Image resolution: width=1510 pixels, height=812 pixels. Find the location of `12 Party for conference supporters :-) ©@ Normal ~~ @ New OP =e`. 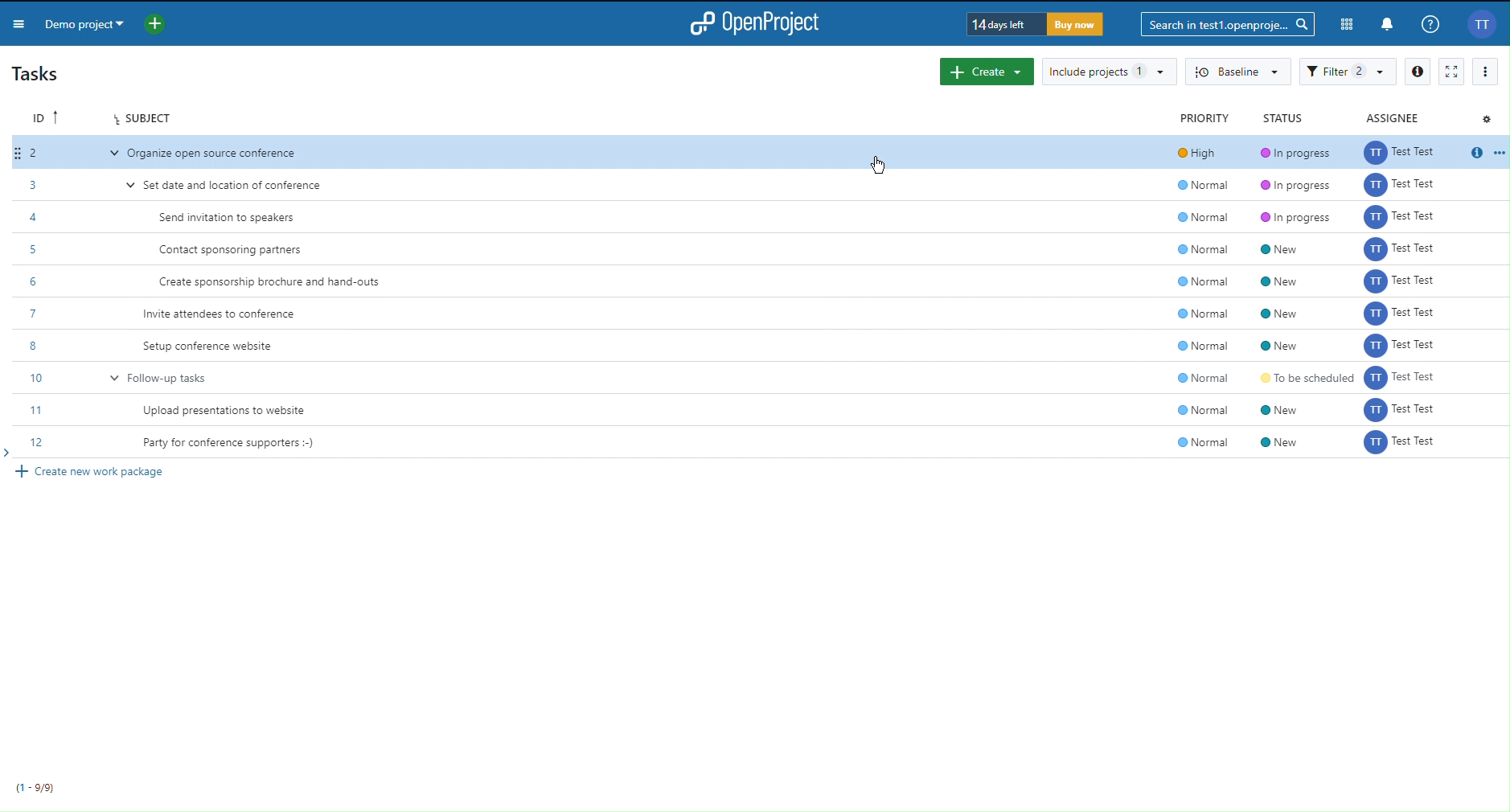

12 Party for conference supporters :-) ©@ Normal ~~ @ New OP =e is located at coordinates (755, 444).